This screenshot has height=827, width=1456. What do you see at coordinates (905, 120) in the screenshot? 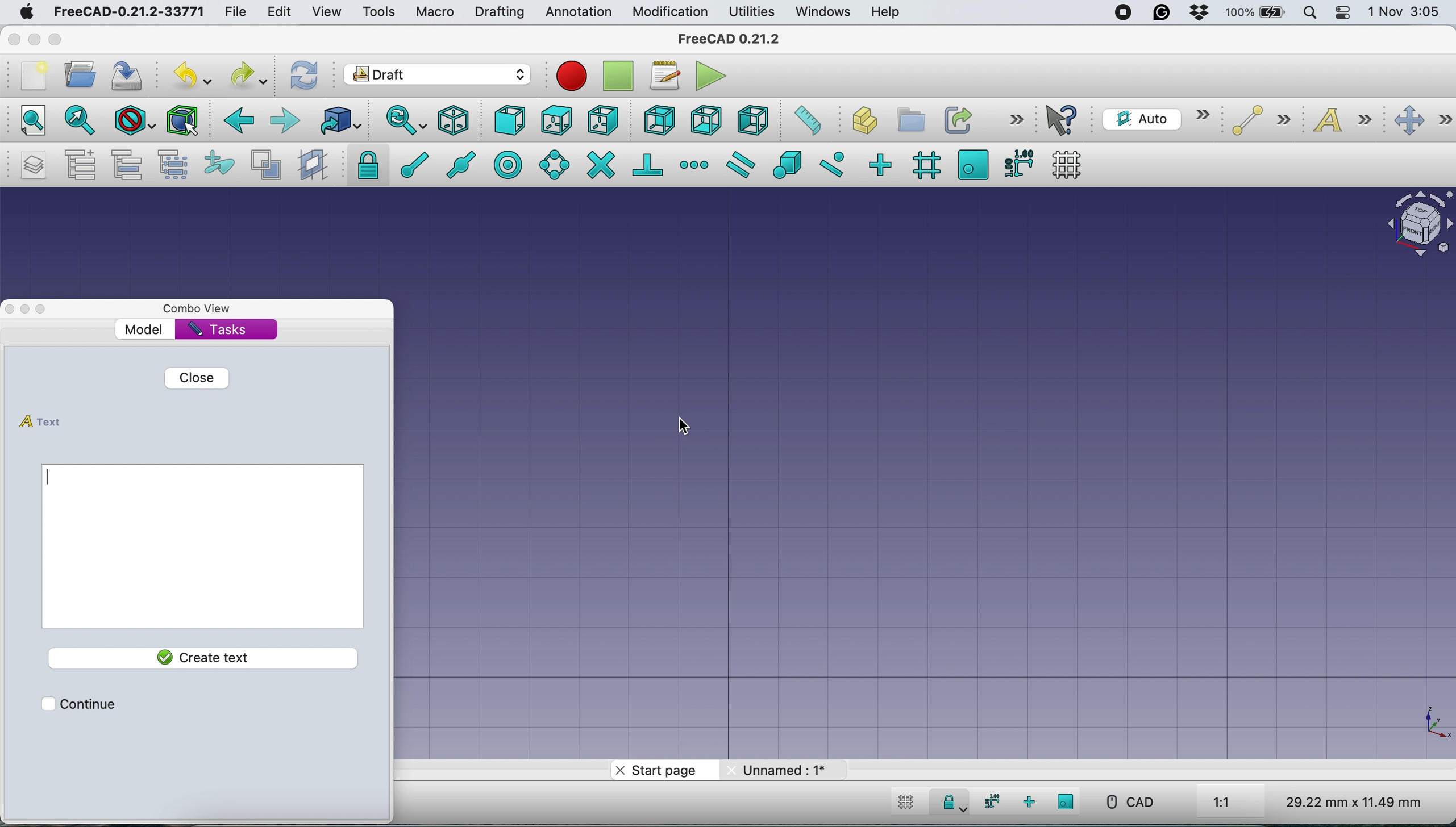
I see `create part` at bounding box center [905, 120].